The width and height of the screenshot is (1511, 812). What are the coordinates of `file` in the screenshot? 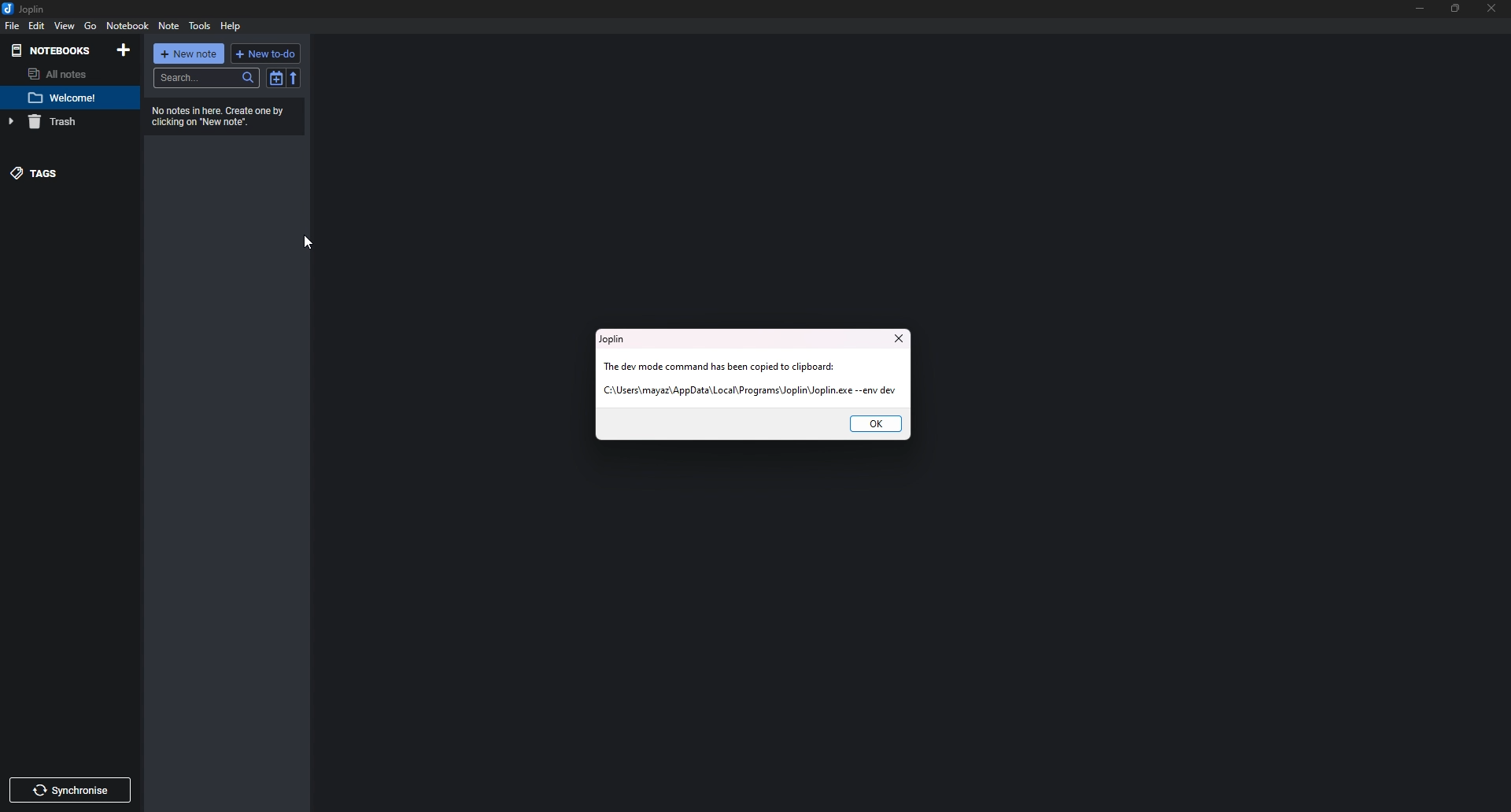 It's located at (11, 27).